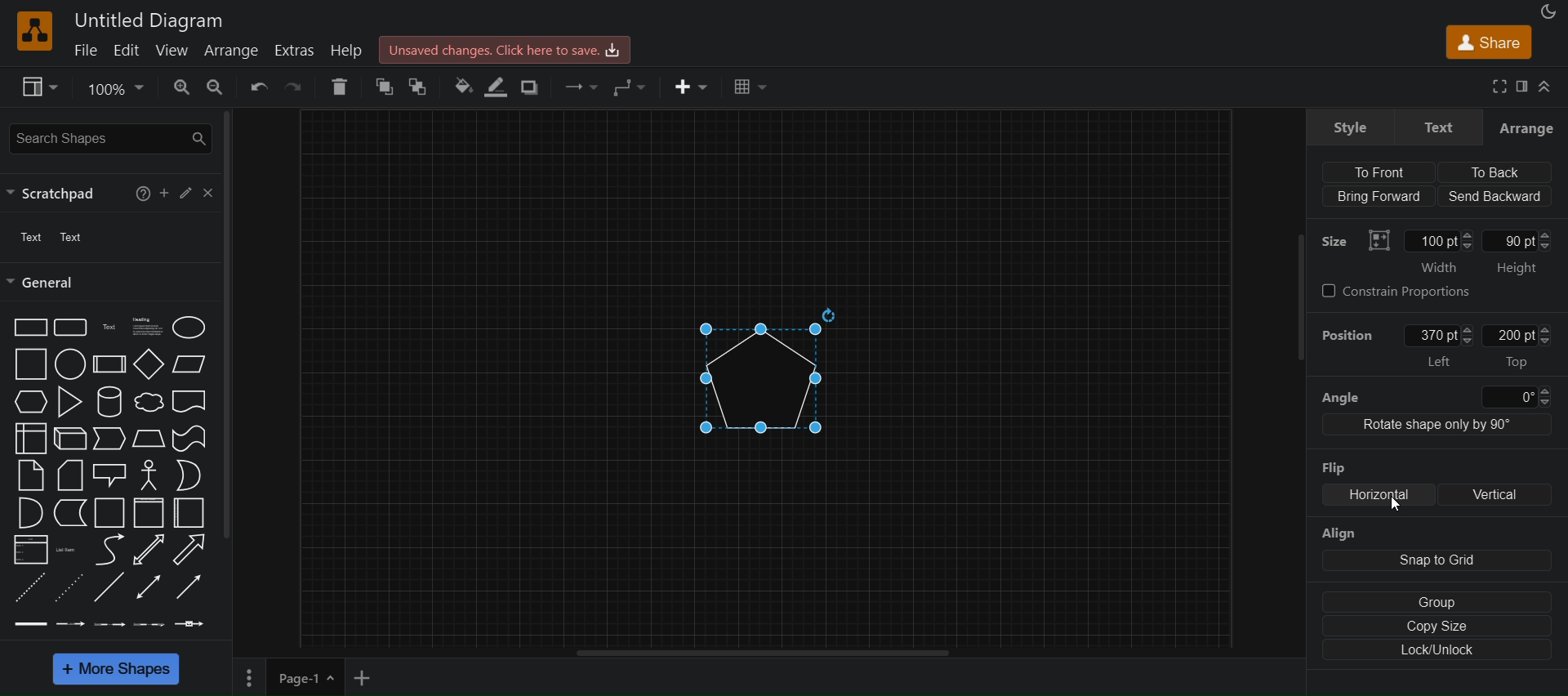  Describe the element at coordinates (1349, 127) in the screenshot. I see `style` at that location.